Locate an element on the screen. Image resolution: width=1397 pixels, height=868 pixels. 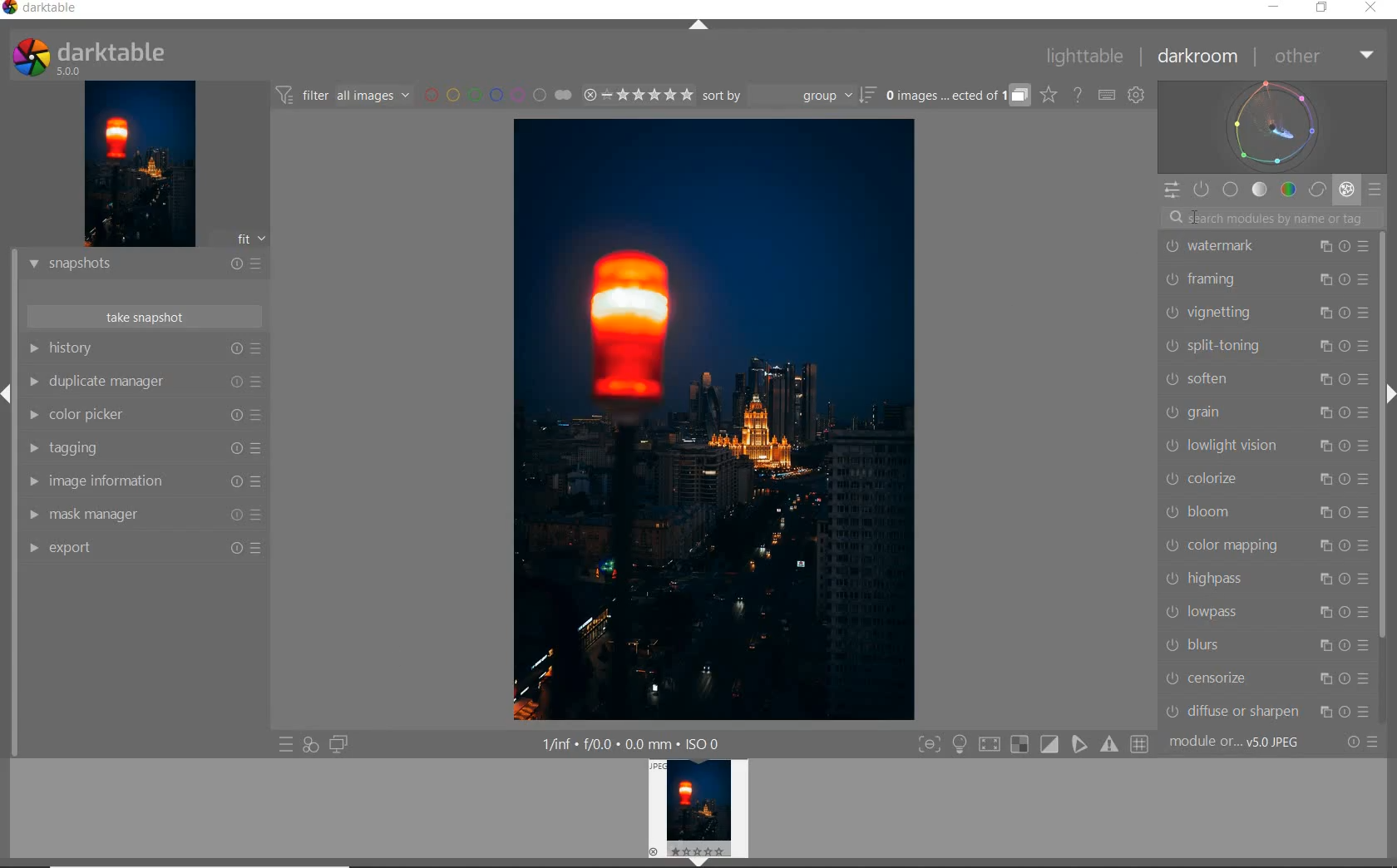
Preset and reset is located at coordinates (1365, 480).